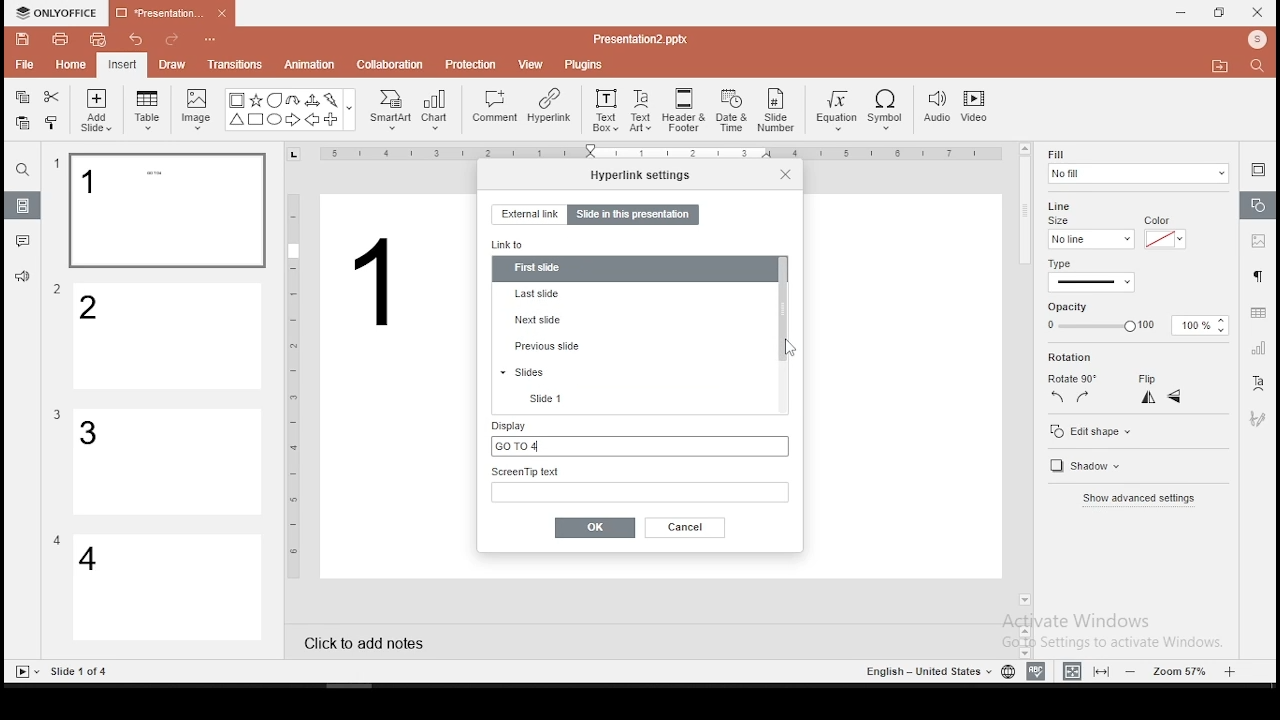  What do you see at coordinates (634, 294) in the screenshot?
I see `last slide` at bounding box center [634, 294].